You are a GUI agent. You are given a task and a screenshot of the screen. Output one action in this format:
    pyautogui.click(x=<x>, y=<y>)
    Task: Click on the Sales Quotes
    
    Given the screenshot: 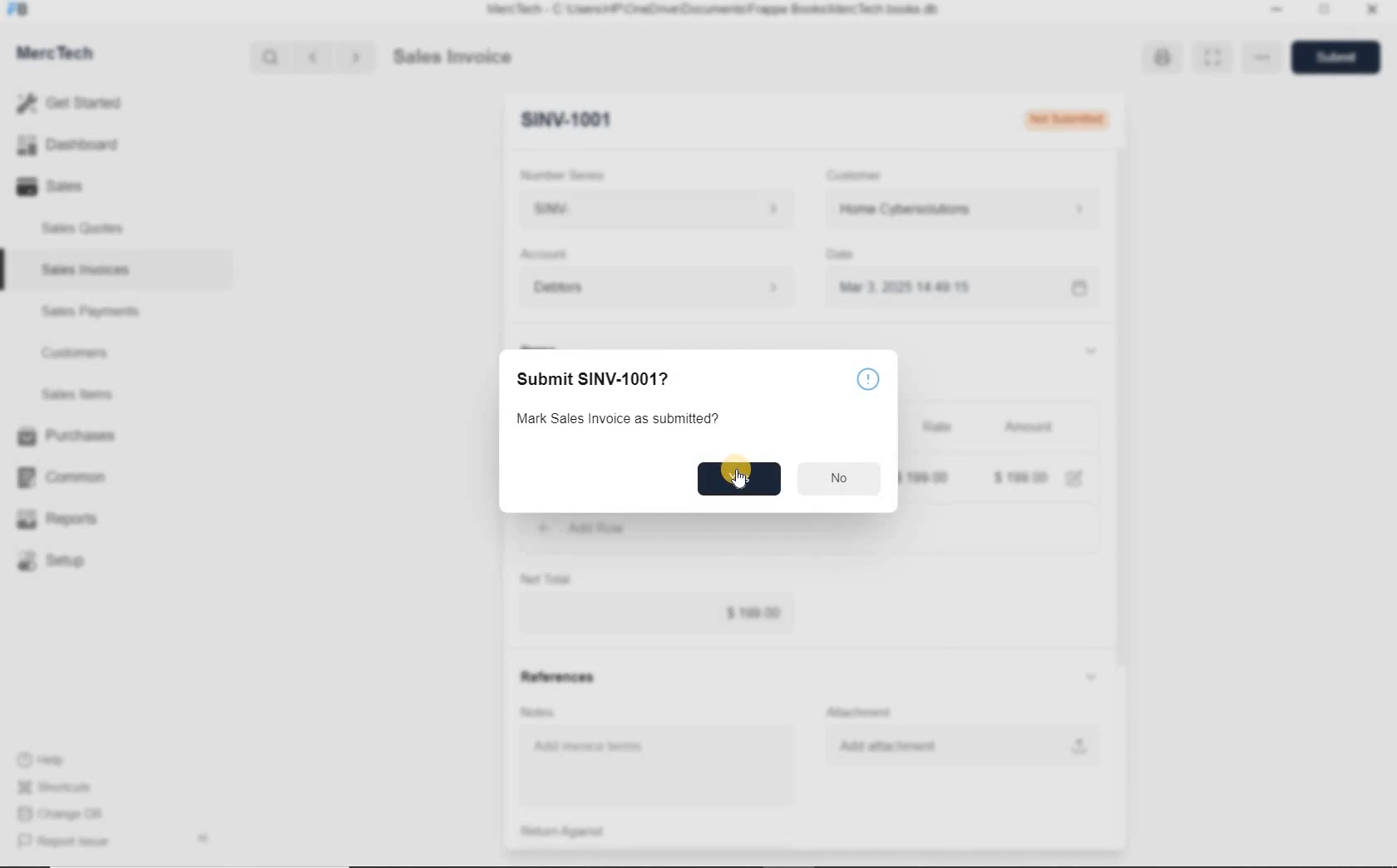 What is the action you would take?
    pyautogui.click(x=86, y=228)
    